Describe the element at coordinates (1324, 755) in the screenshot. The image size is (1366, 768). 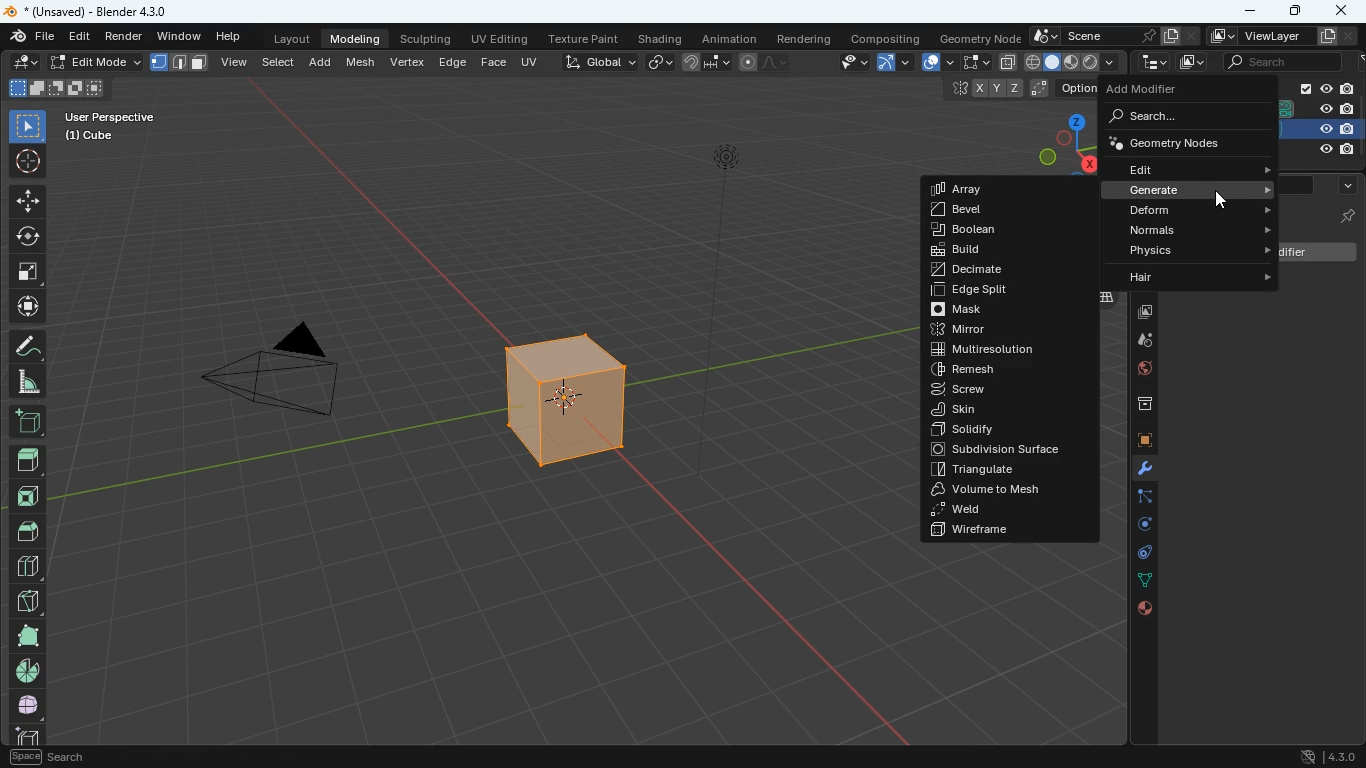
I see `4.30` at that location.